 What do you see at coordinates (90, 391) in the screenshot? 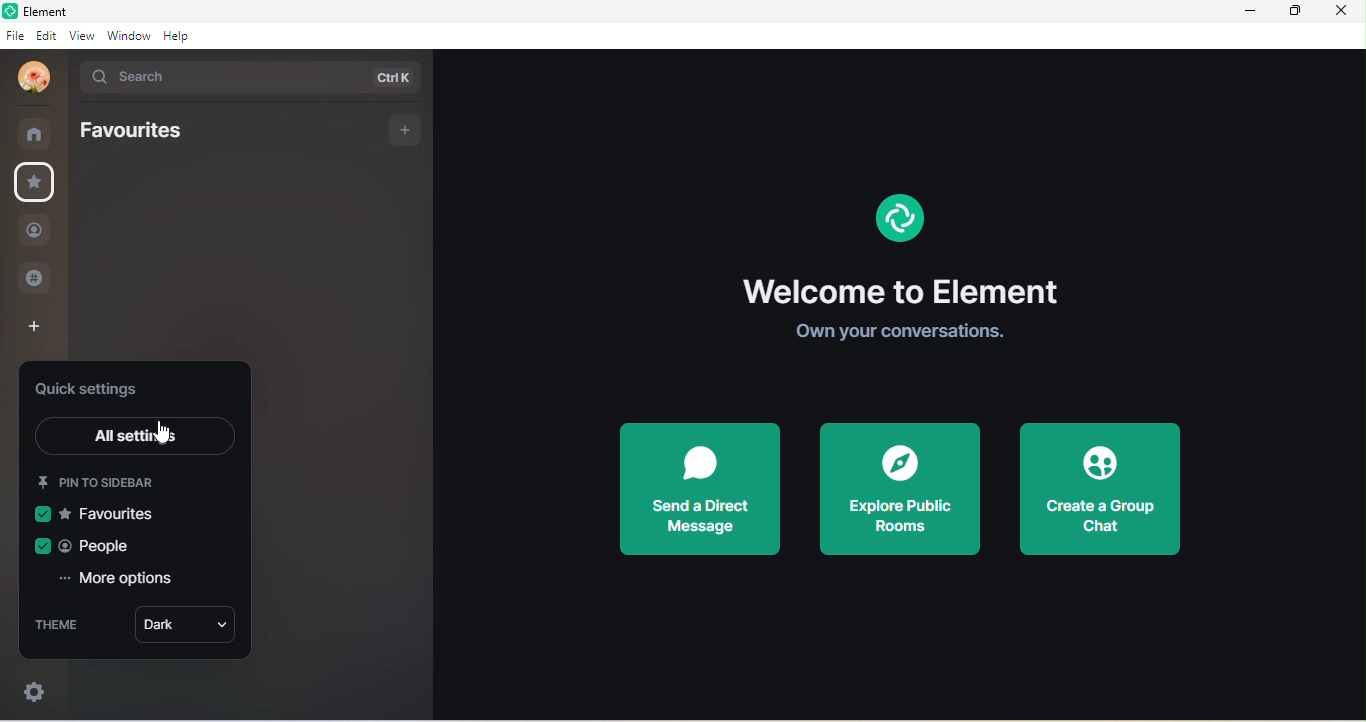
I see `quick settings` at bounding box center [90, 391].